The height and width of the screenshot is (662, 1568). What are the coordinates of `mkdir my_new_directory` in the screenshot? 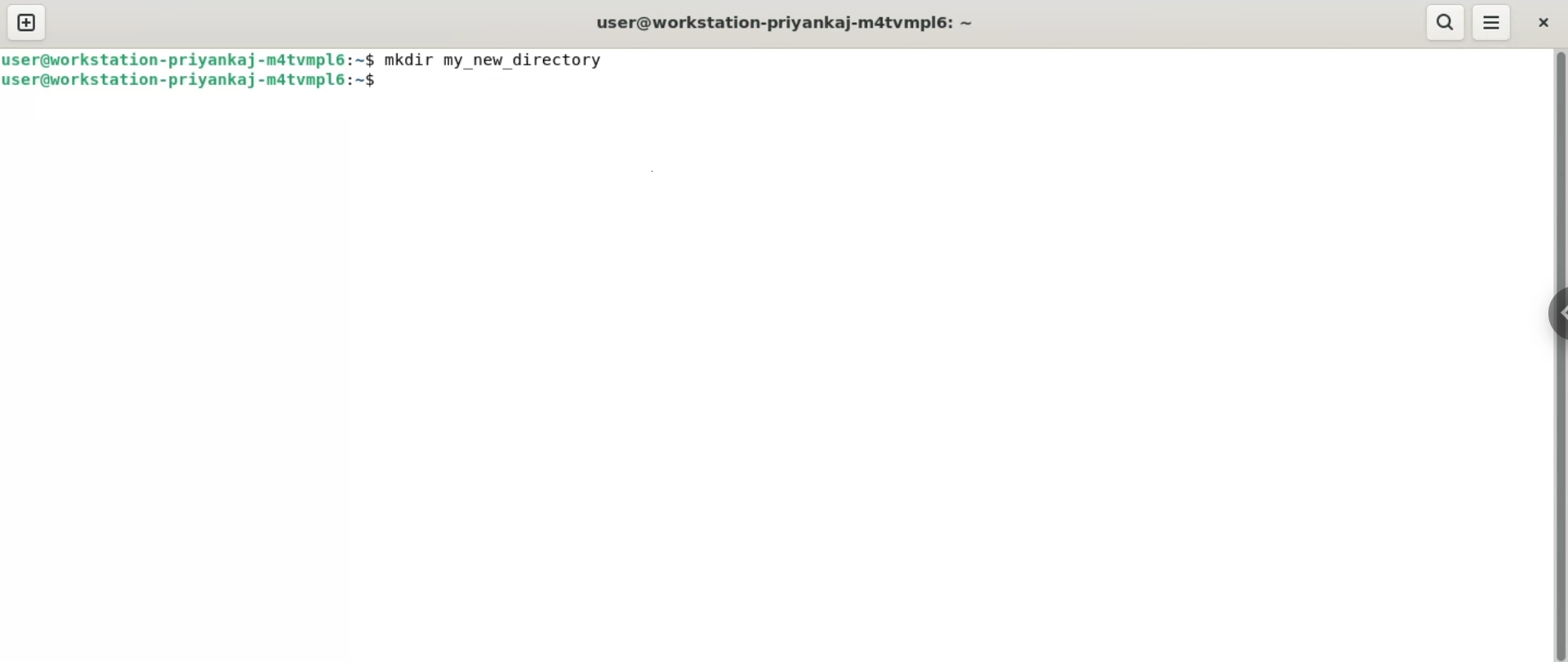 It's located at (501, 59).